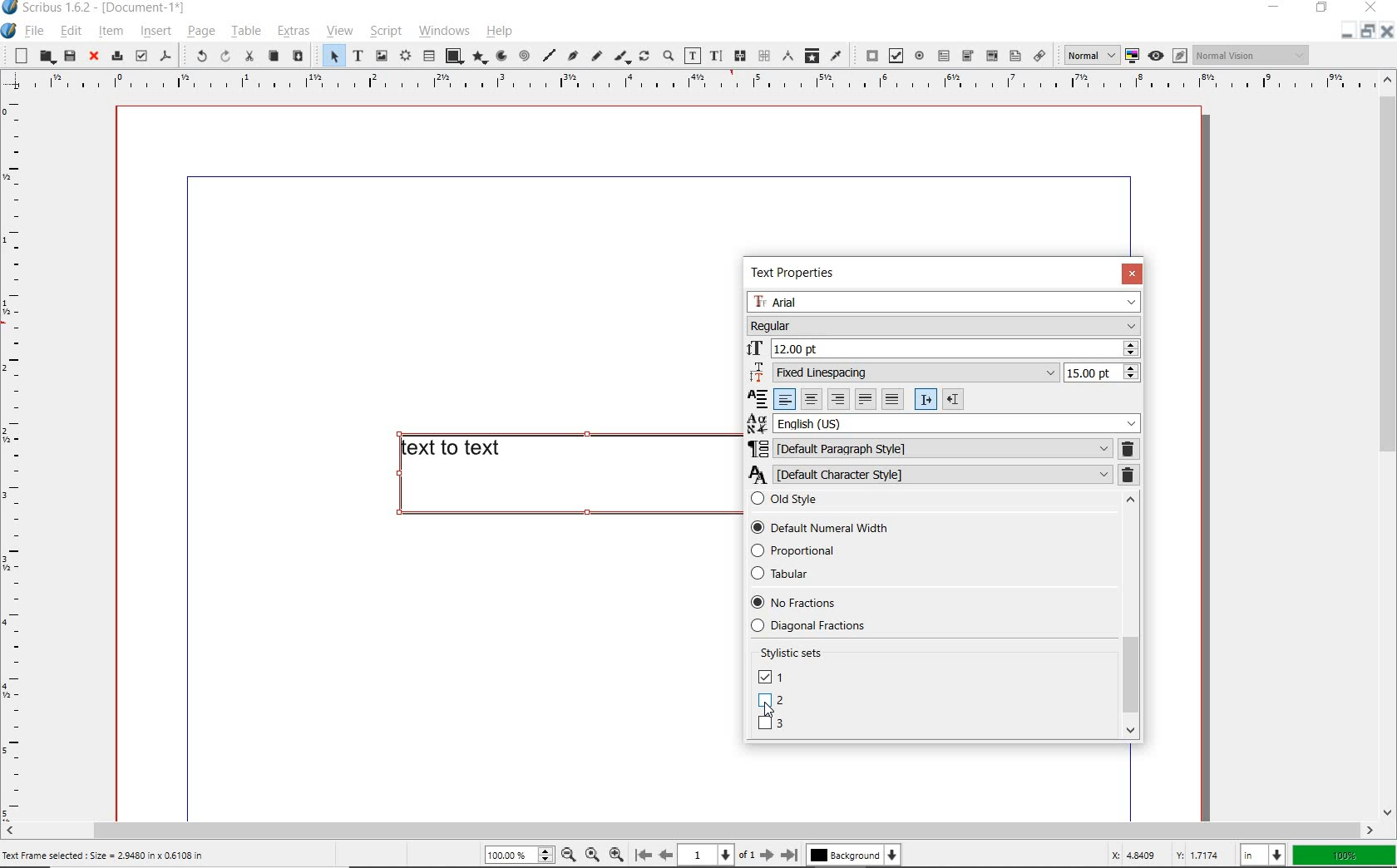  Describe the element at coordinates (940, 424) in the screenshot. I see `English (US)` at that location.